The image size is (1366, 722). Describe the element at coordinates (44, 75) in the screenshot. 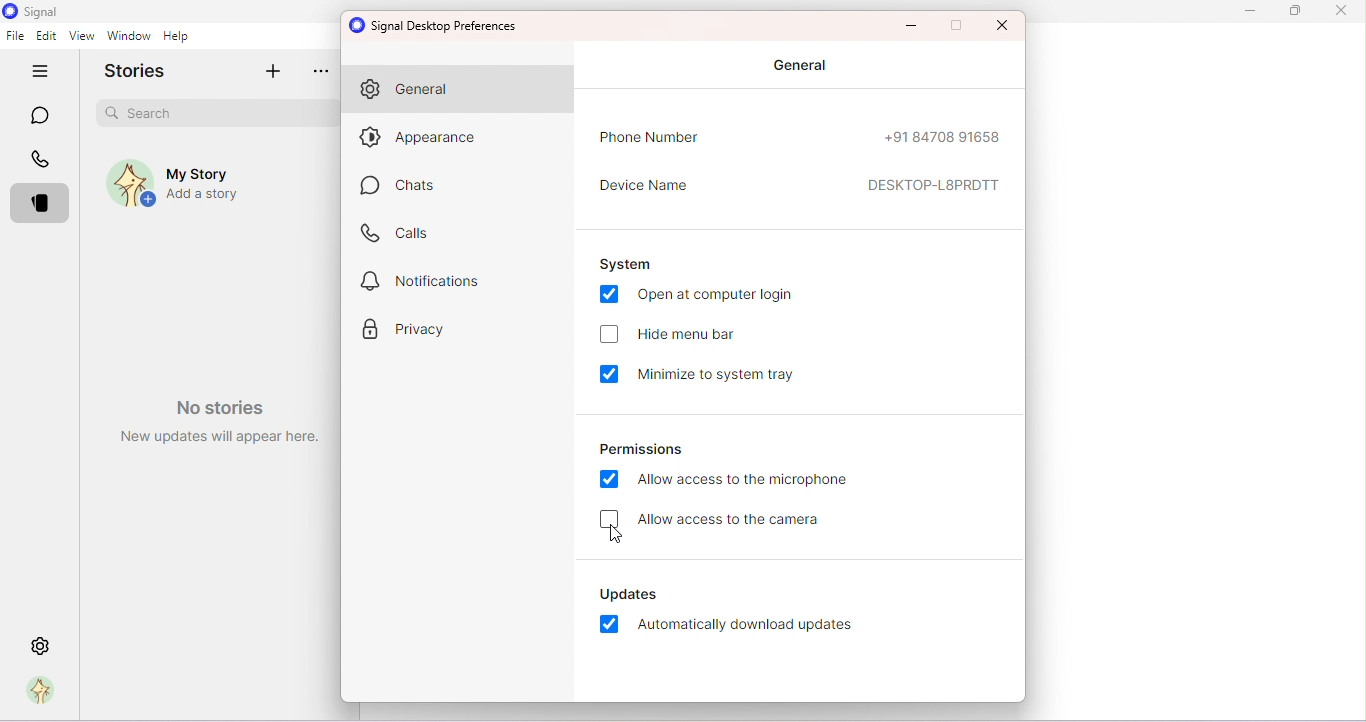

I see `Hide` at that location.